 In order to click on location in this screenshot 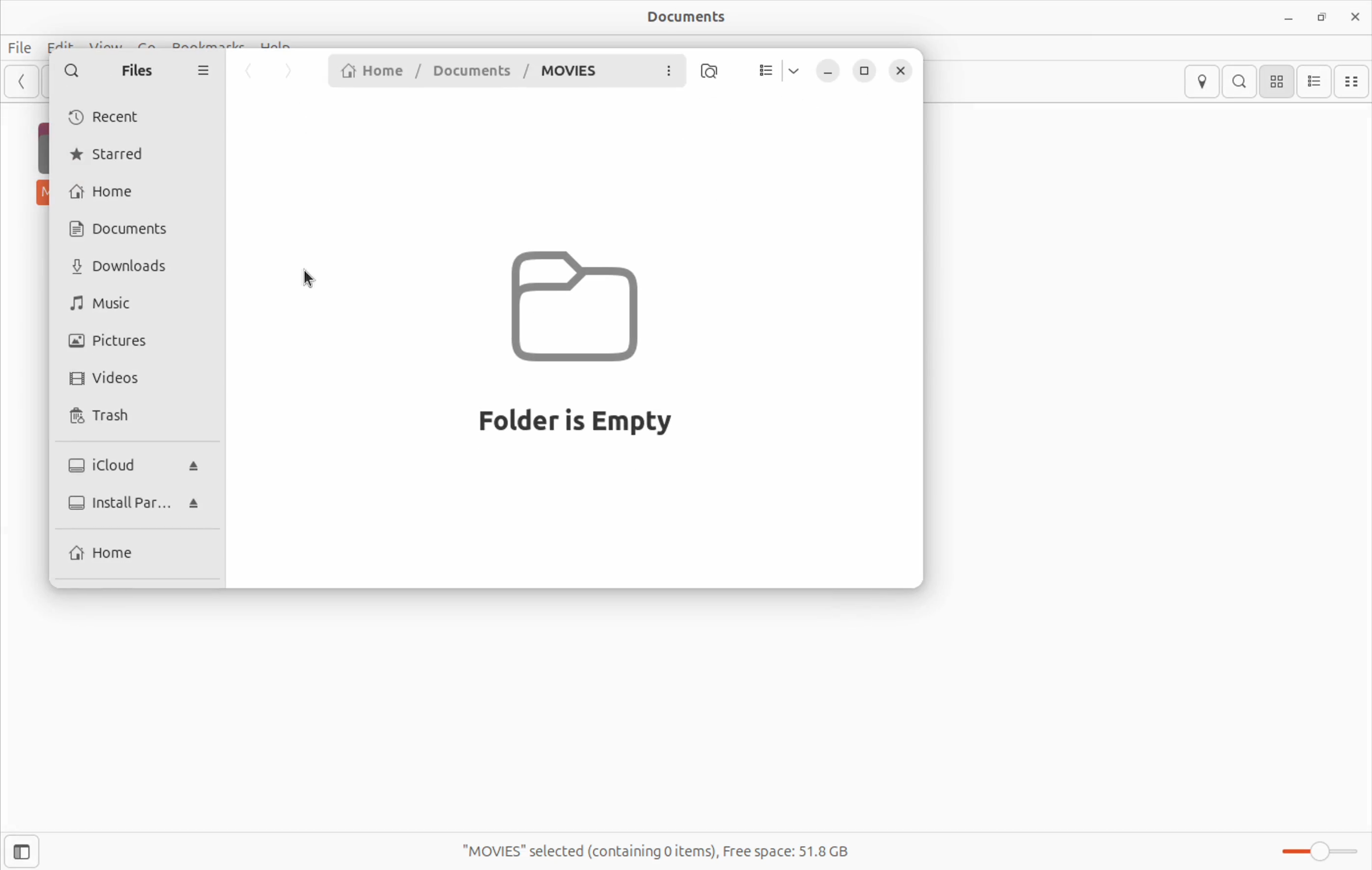, I will do `click(1201, 82)`.